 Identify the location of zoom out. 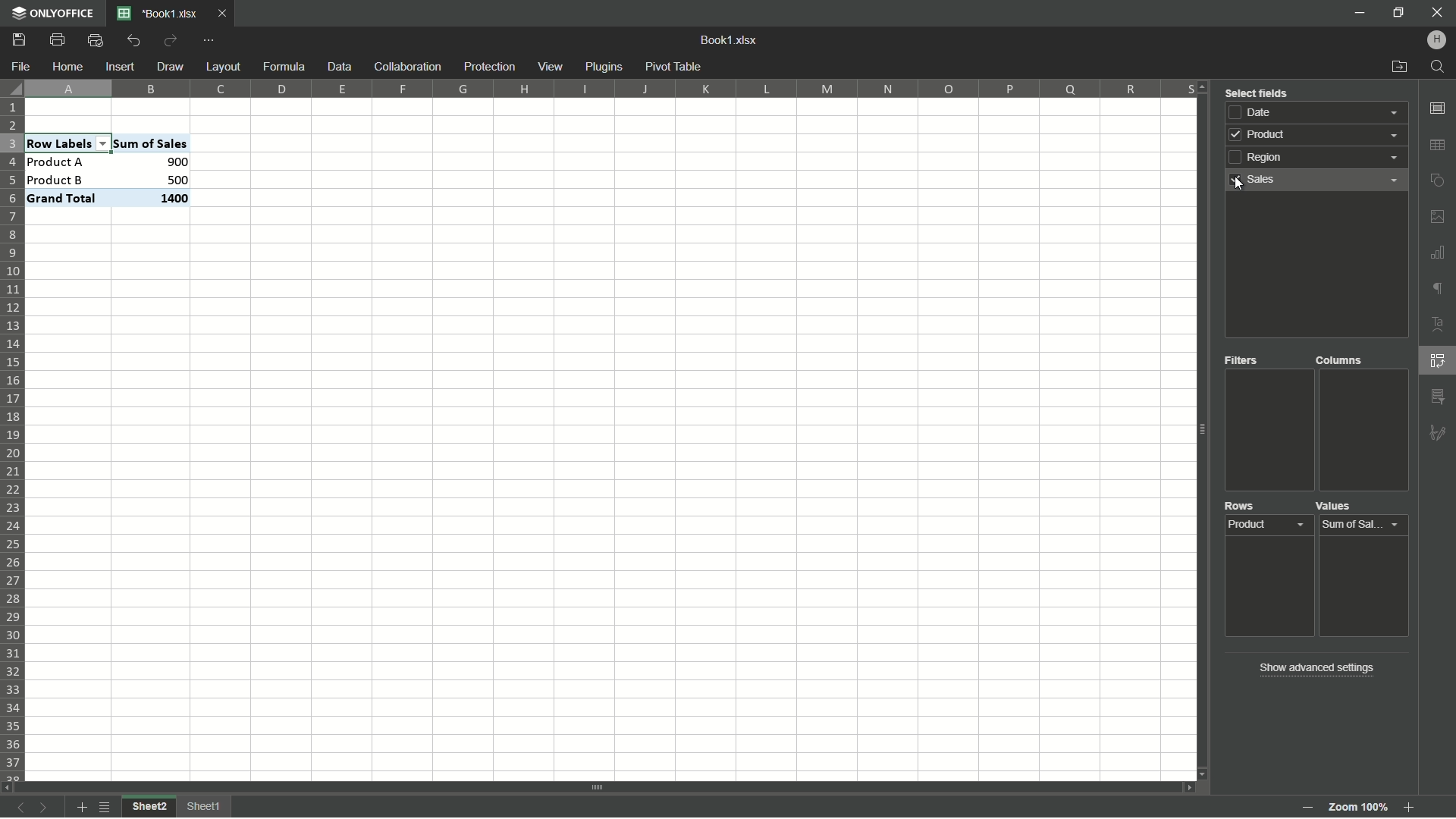
(1305, 808).